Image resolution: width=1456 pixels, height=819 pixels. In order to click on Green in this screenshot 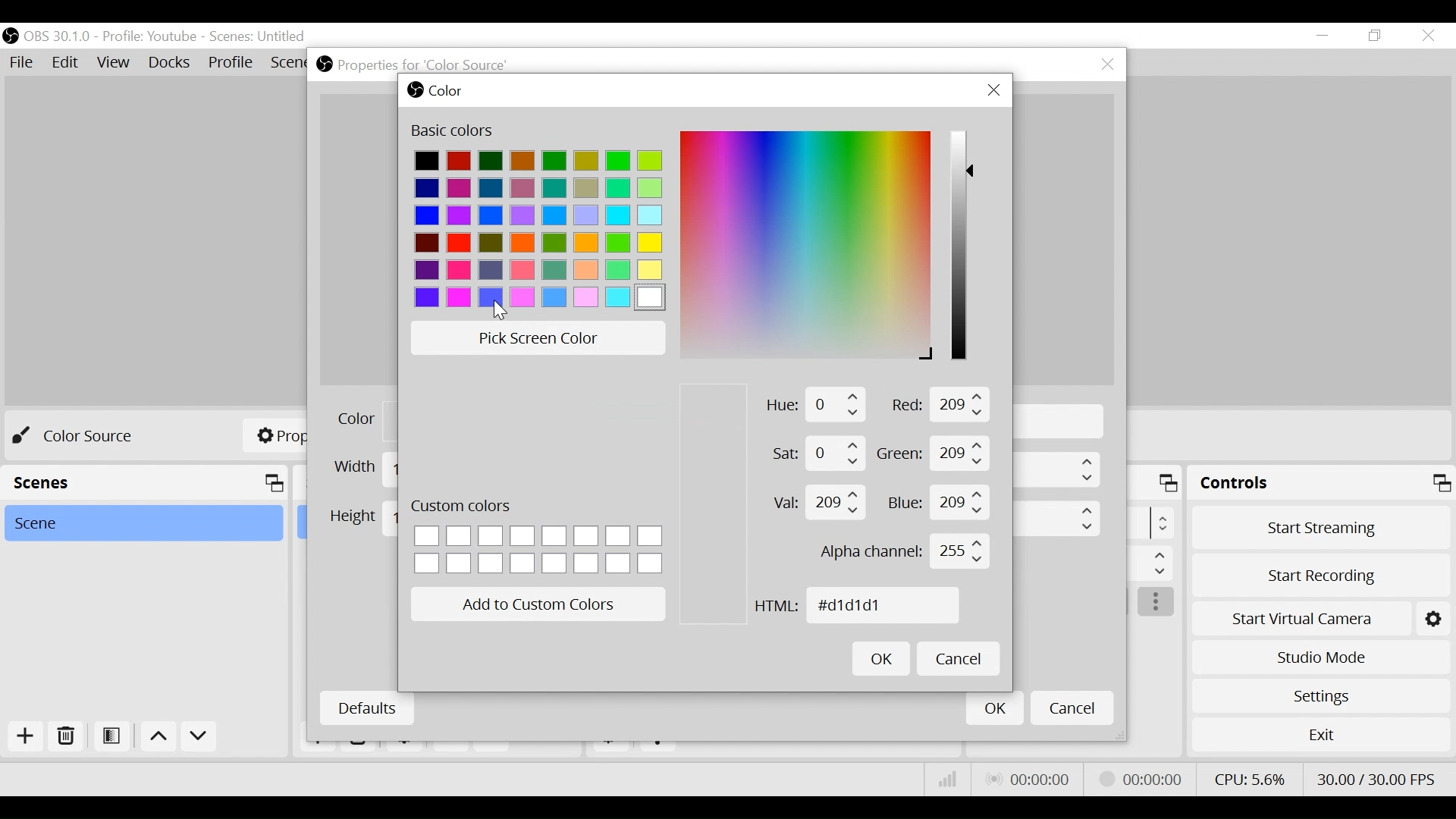, I will do `click(934, 453)`.